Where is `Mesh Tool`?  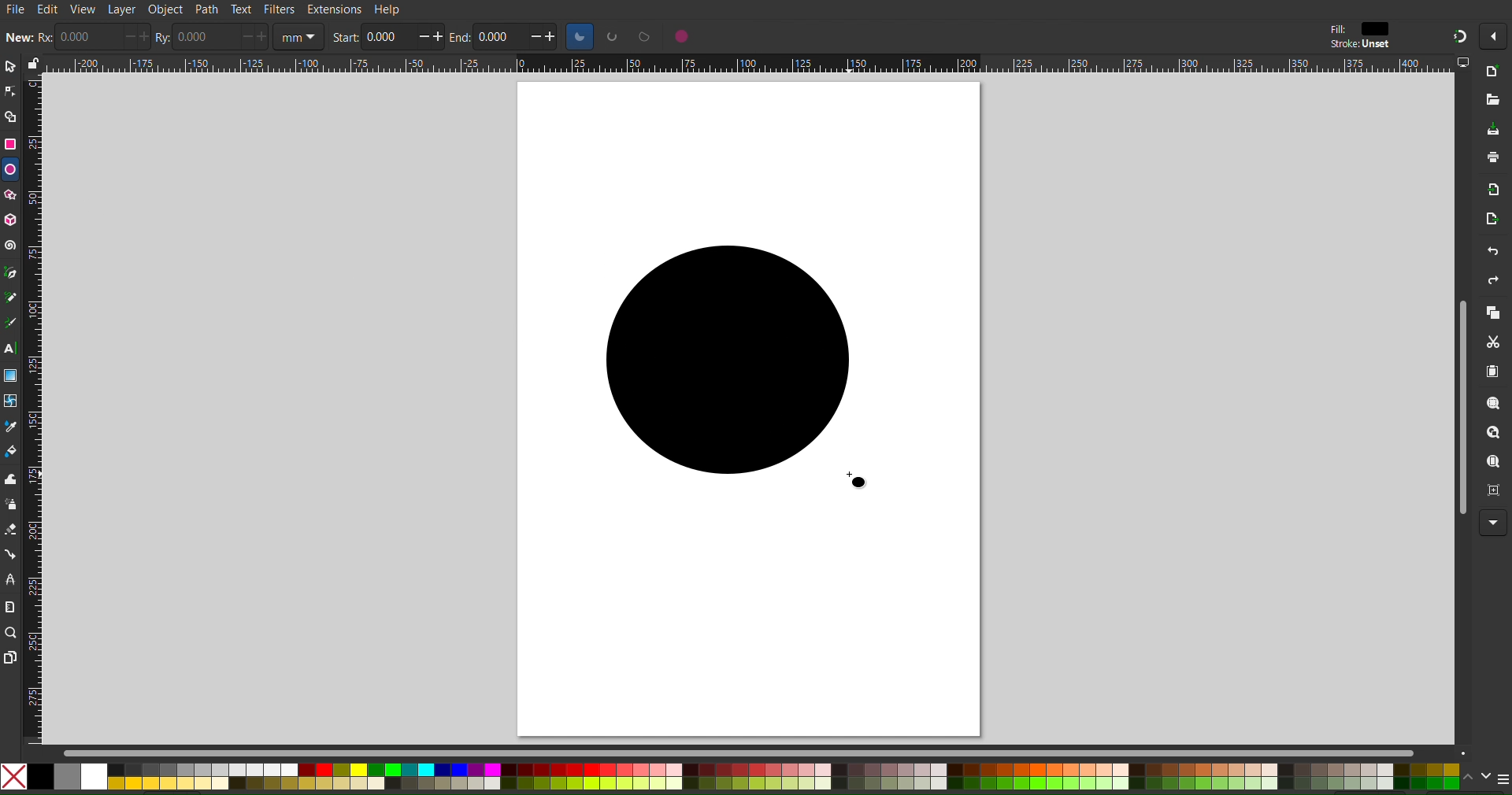 Mesh Tool is located at coordinates (11, 401).